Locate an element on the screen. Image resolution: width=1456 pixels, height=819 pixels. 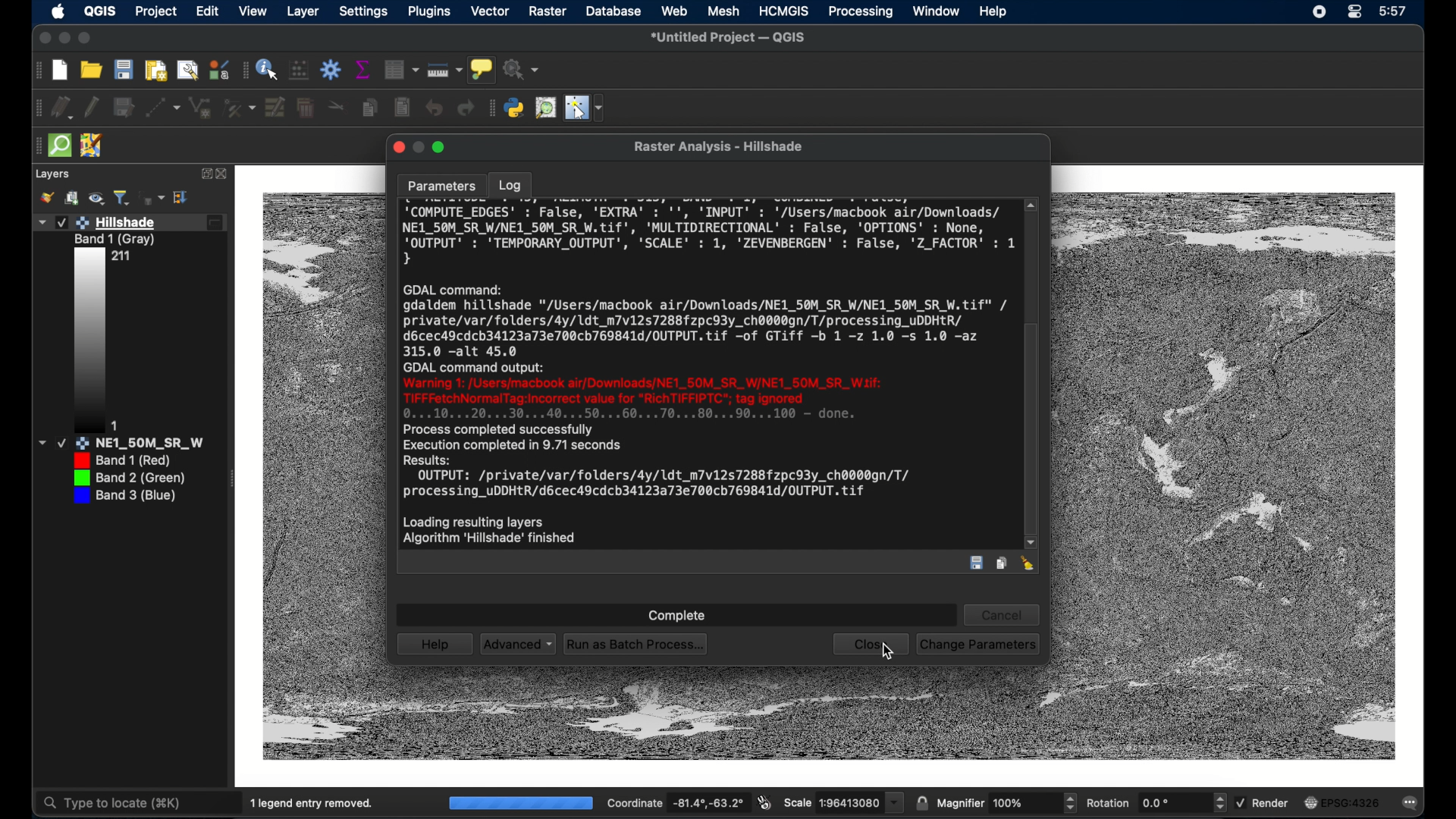
QGIS is located at coordinates (102, 11).